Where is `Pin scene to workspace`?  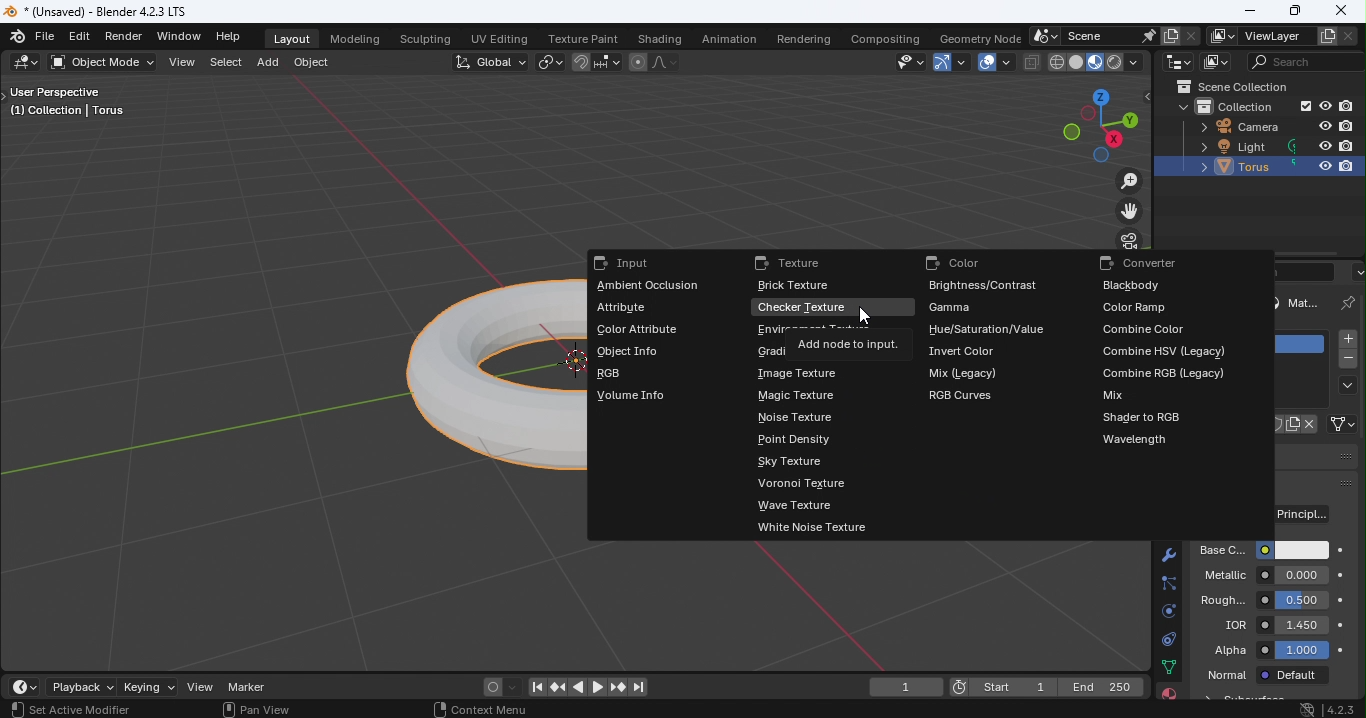
Pin scene to workspace is located at coordinates (1146, 35).